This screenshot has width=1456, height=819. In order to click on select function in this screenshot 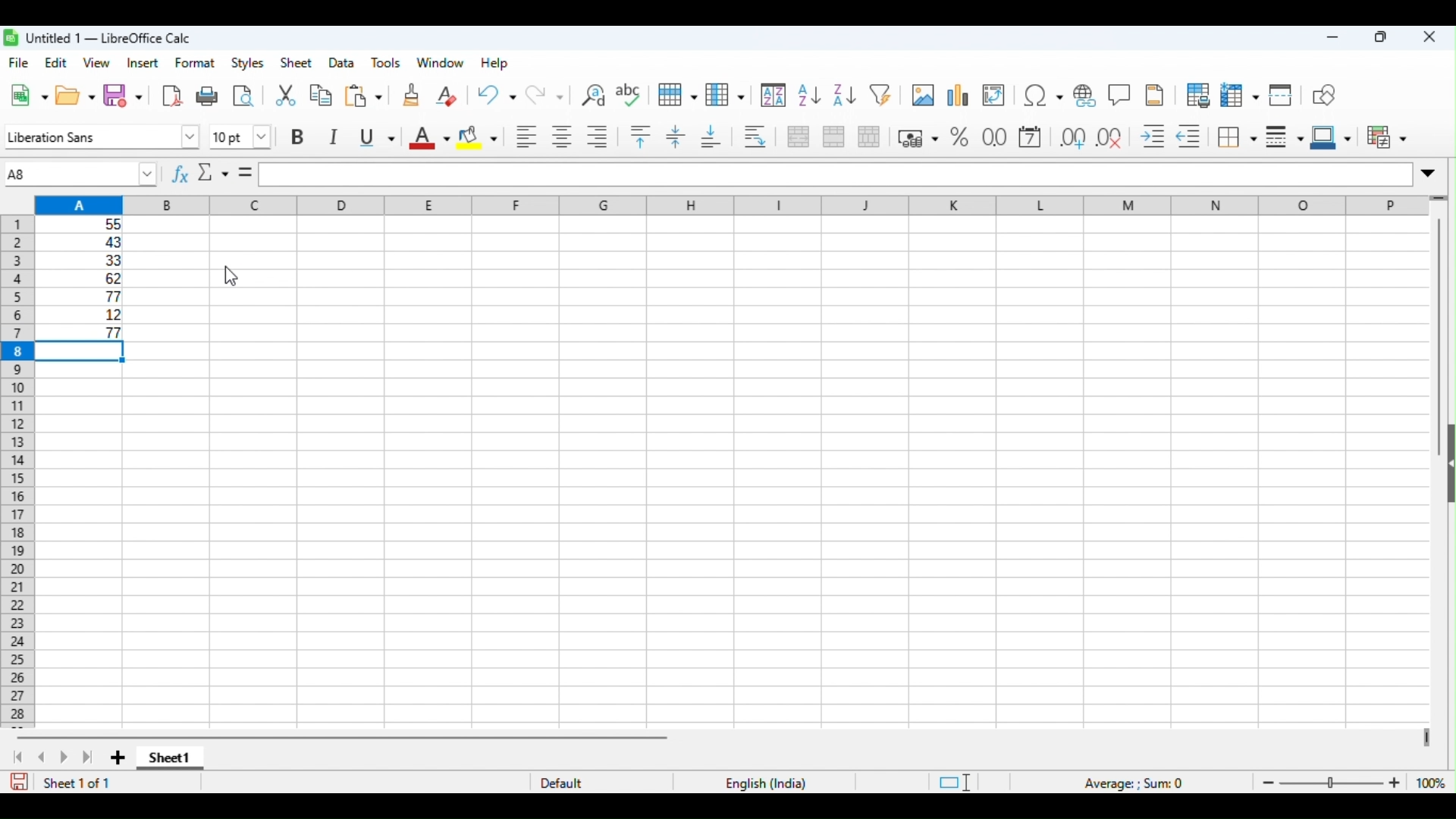, I will do `click(215, 174)`.